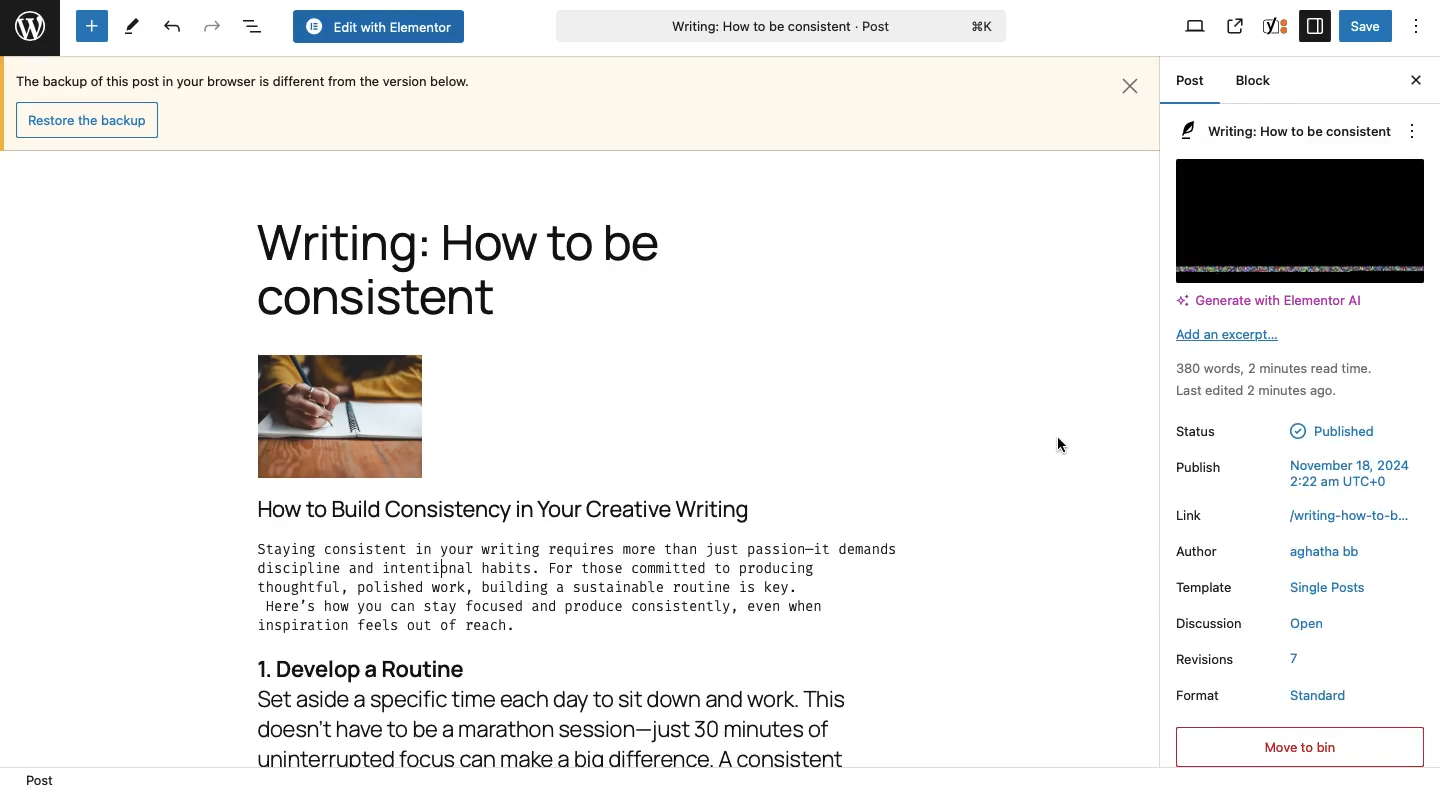 The image size is (1440, 792). What do you see at coordinates (1190, 82) in the screenshot?
I see `Post` at bounding box center [1190, 82].